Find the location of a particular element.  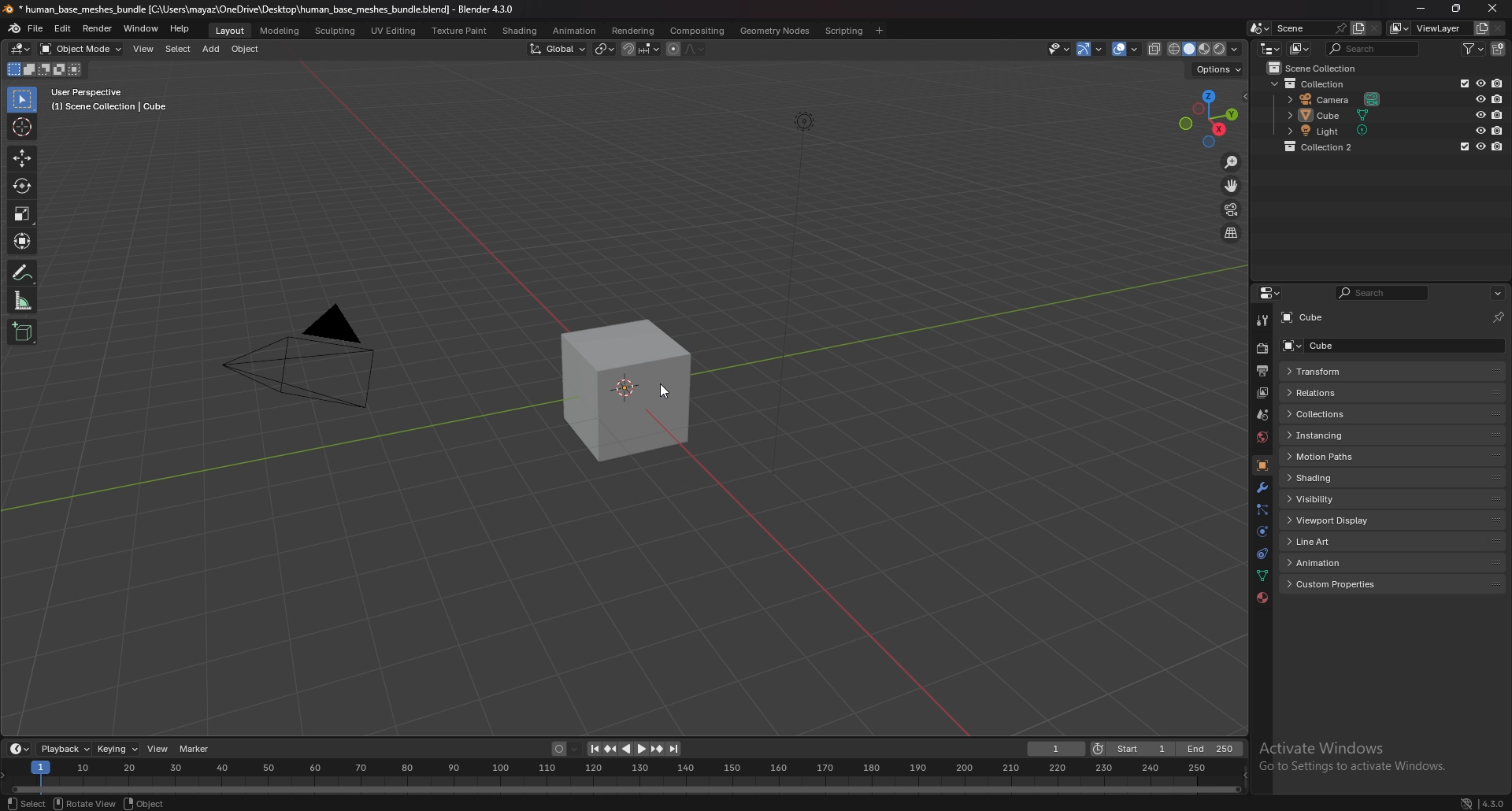

transform orientation is located at coordinates (558, 49).